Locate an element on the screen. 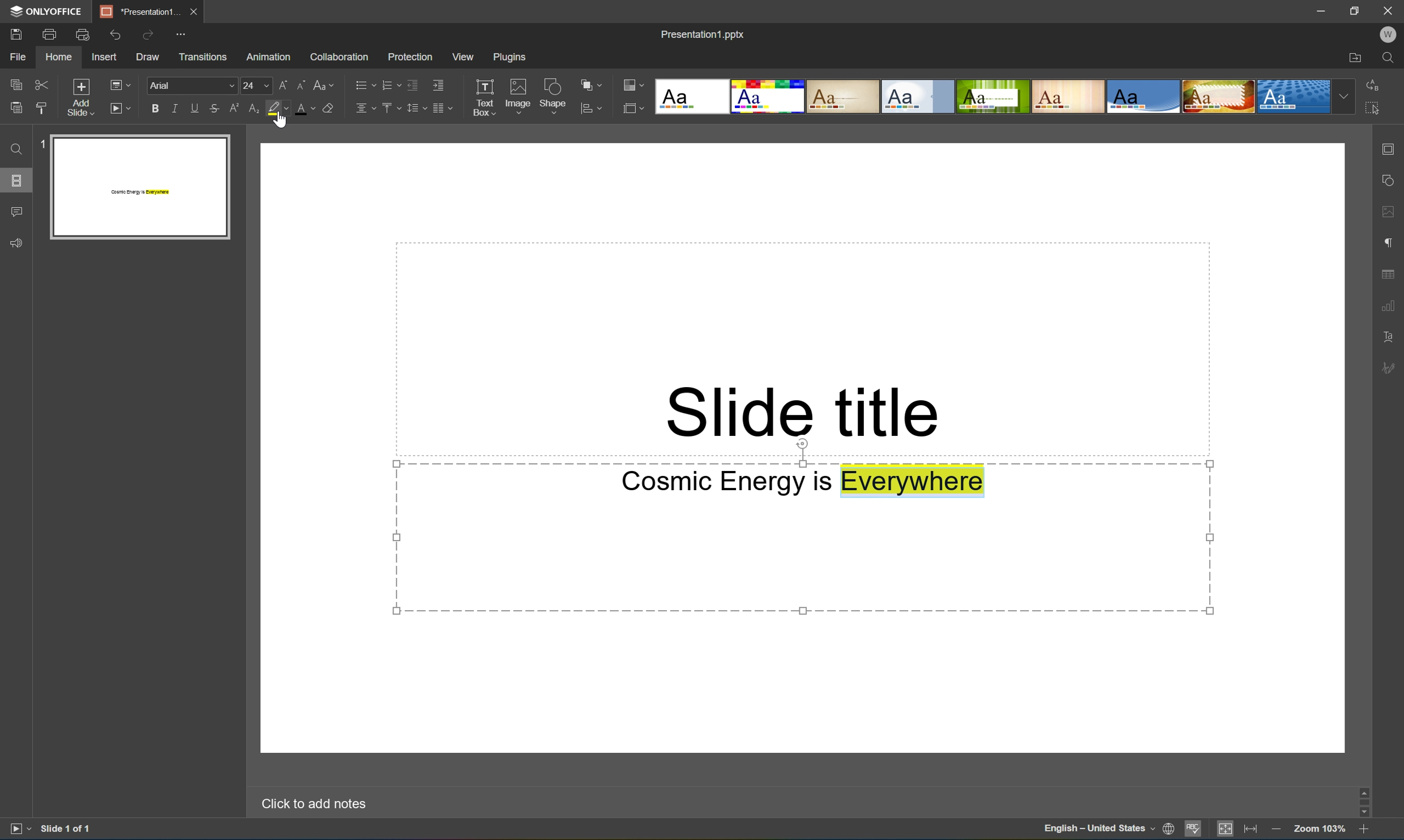 The image size is (1404, 840). Increase indent is located at coordinates (442, 84).